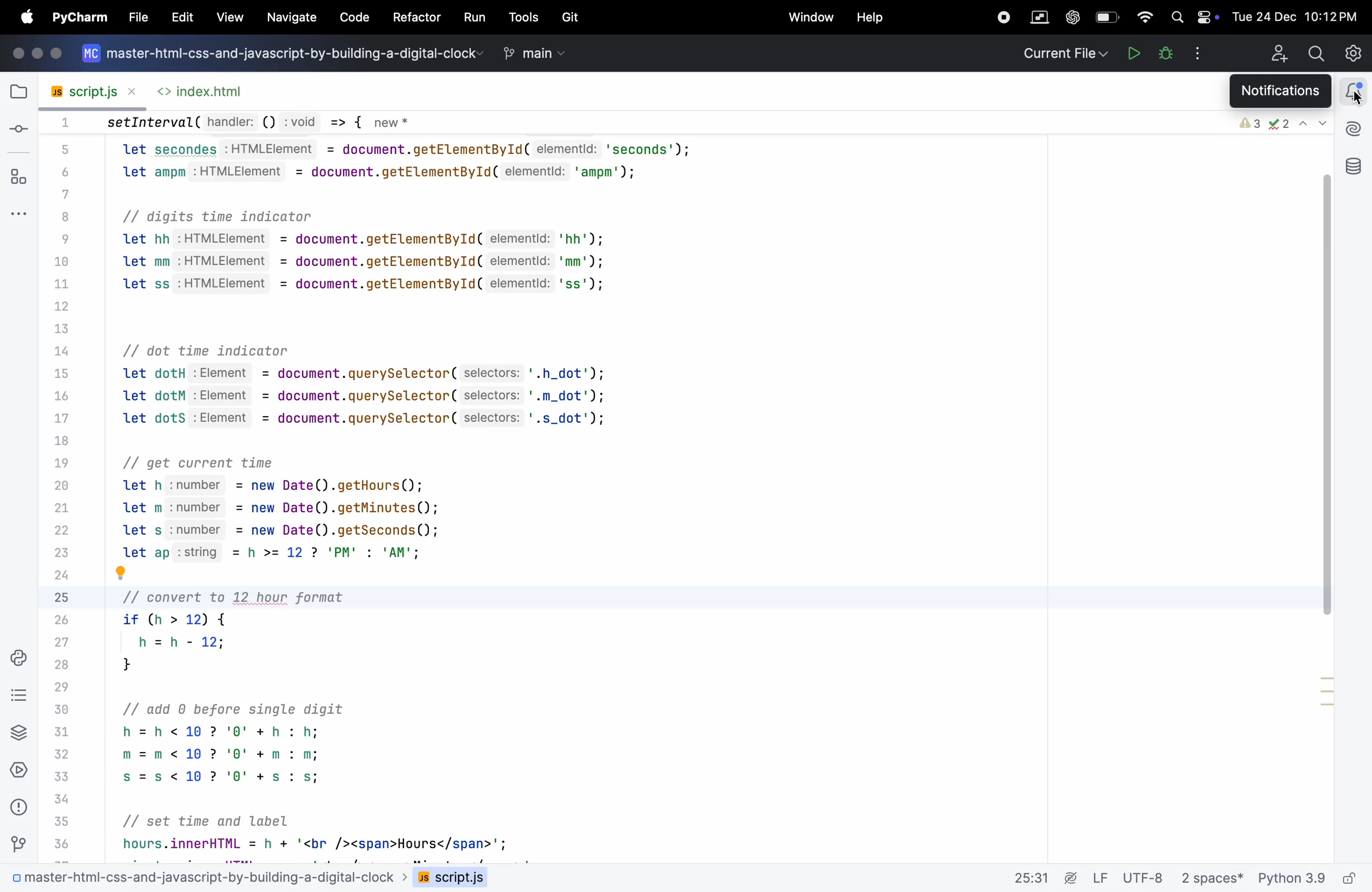 This screenshot has height=892, width=1372. I want to click on ai assitant, so click(1355, 128).